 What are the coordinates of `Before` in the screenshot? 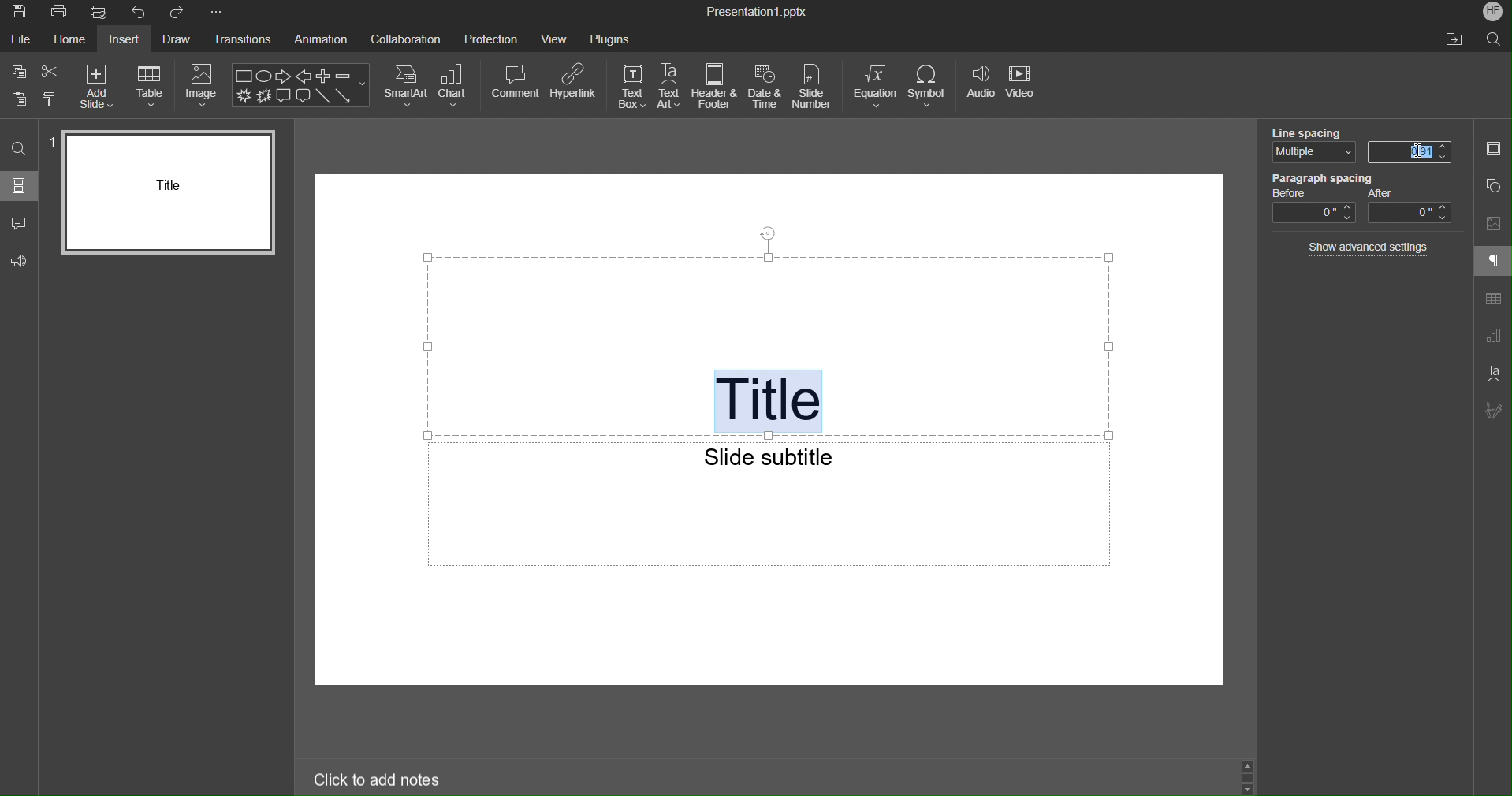 It's located at (1313, 207).